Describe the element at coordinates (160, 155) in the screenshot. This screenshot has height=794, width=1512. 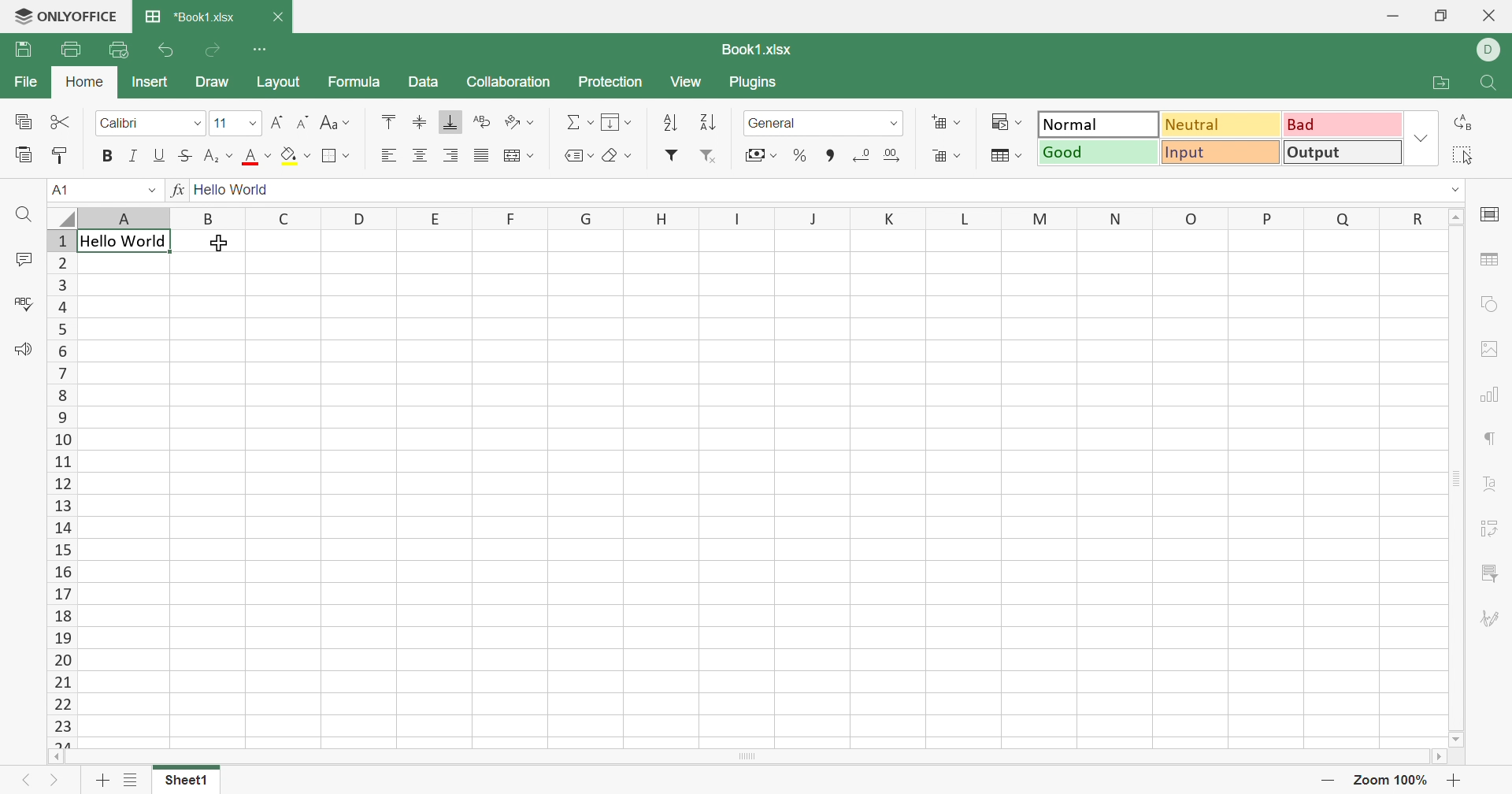
I see `Underline` at that location.